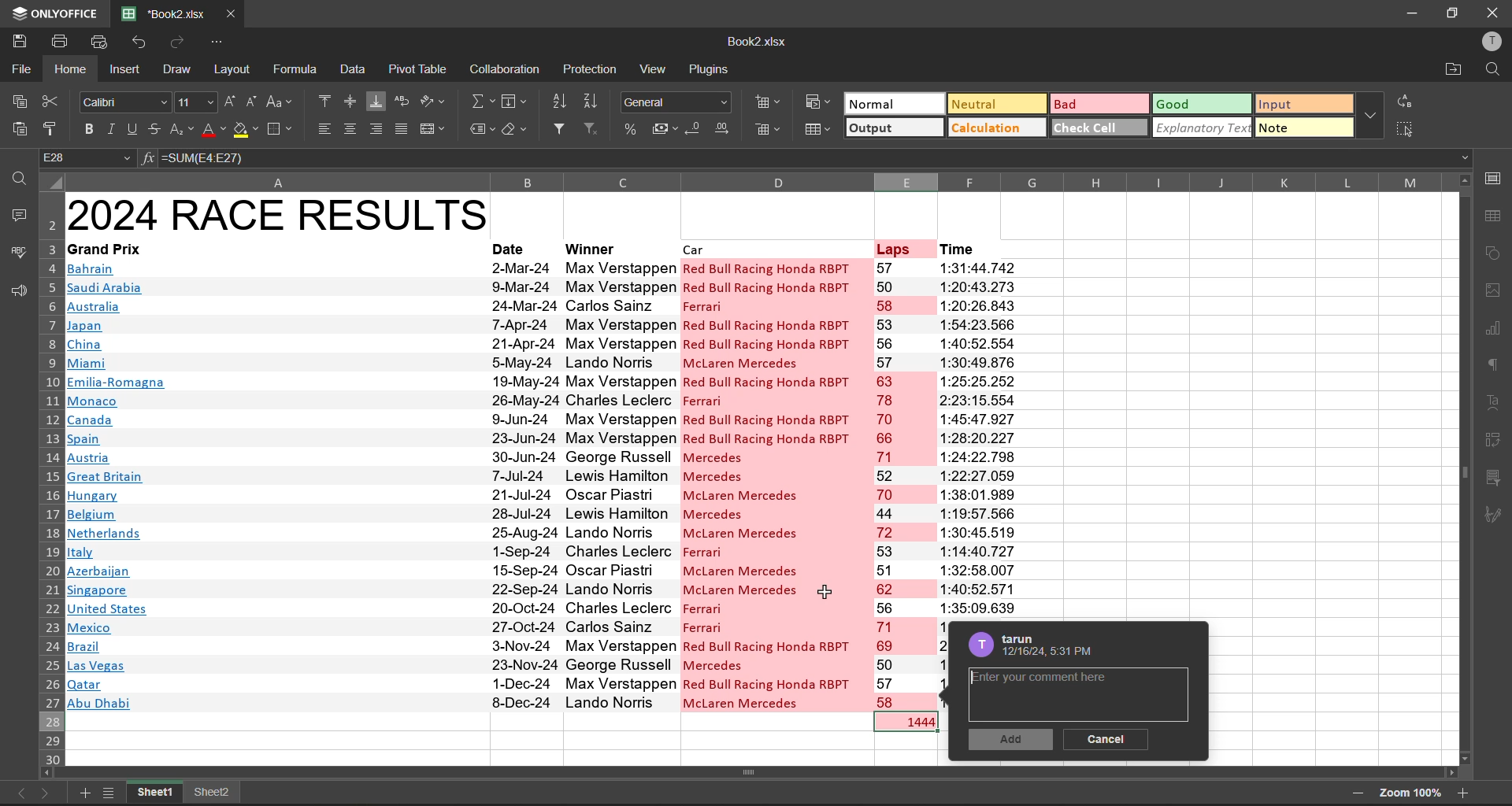 This screenshot has width=1512, height=806. I want to click on fx, so click(148, 157).